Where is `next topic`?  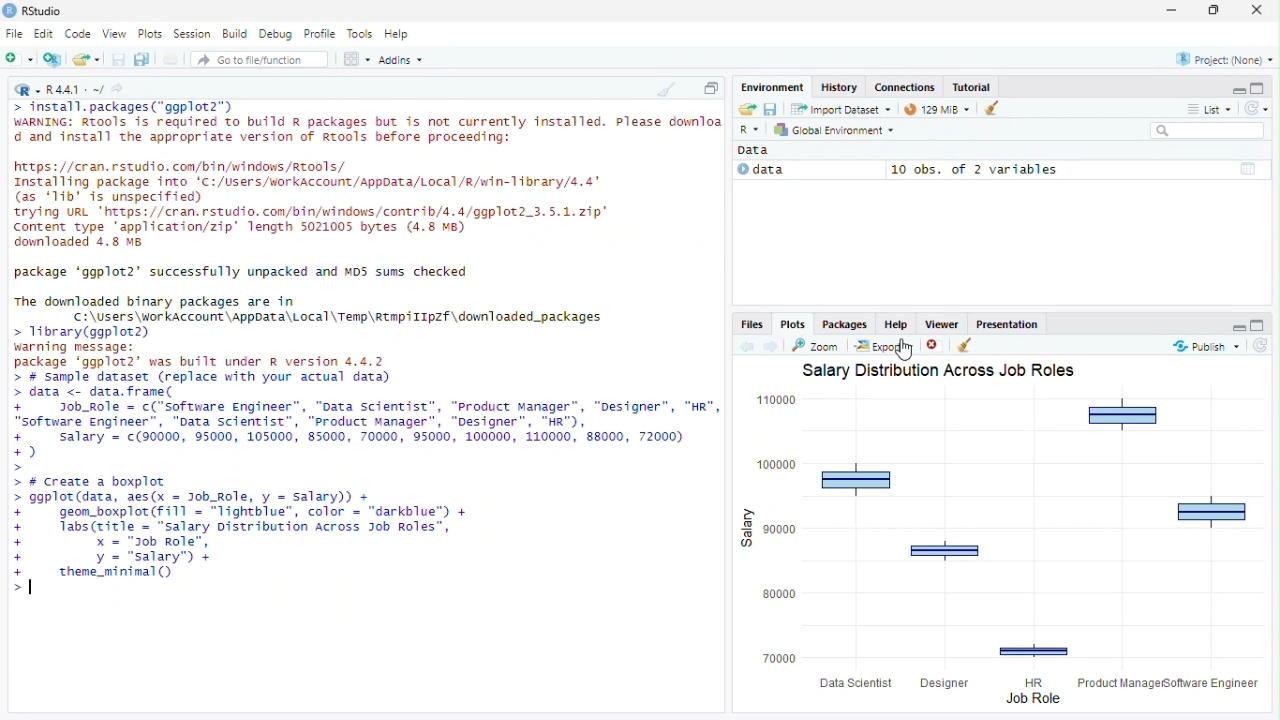
next topic is located at coordinates (772, 346).